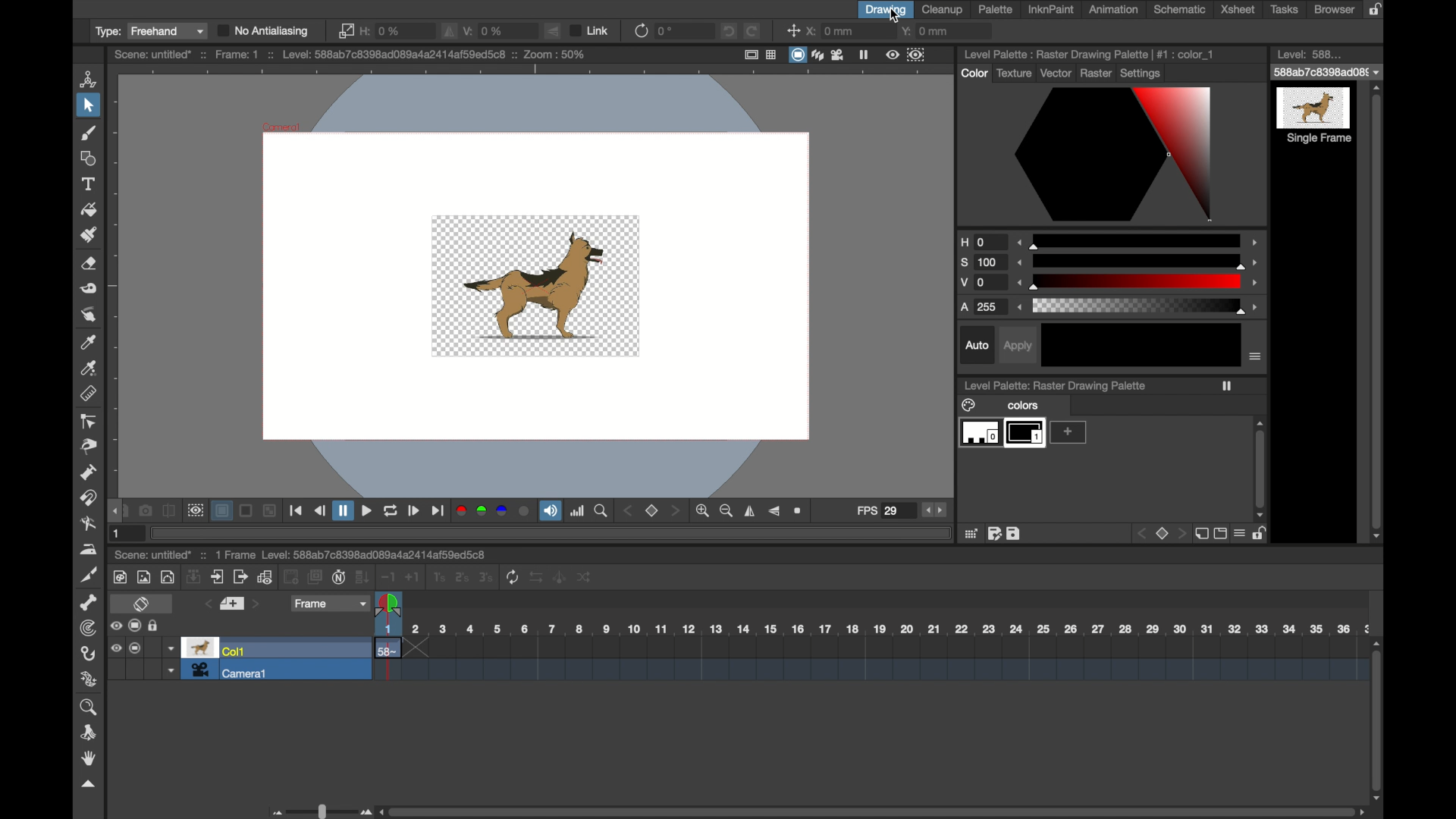  I want to click on drag handle, so click(88, 784).